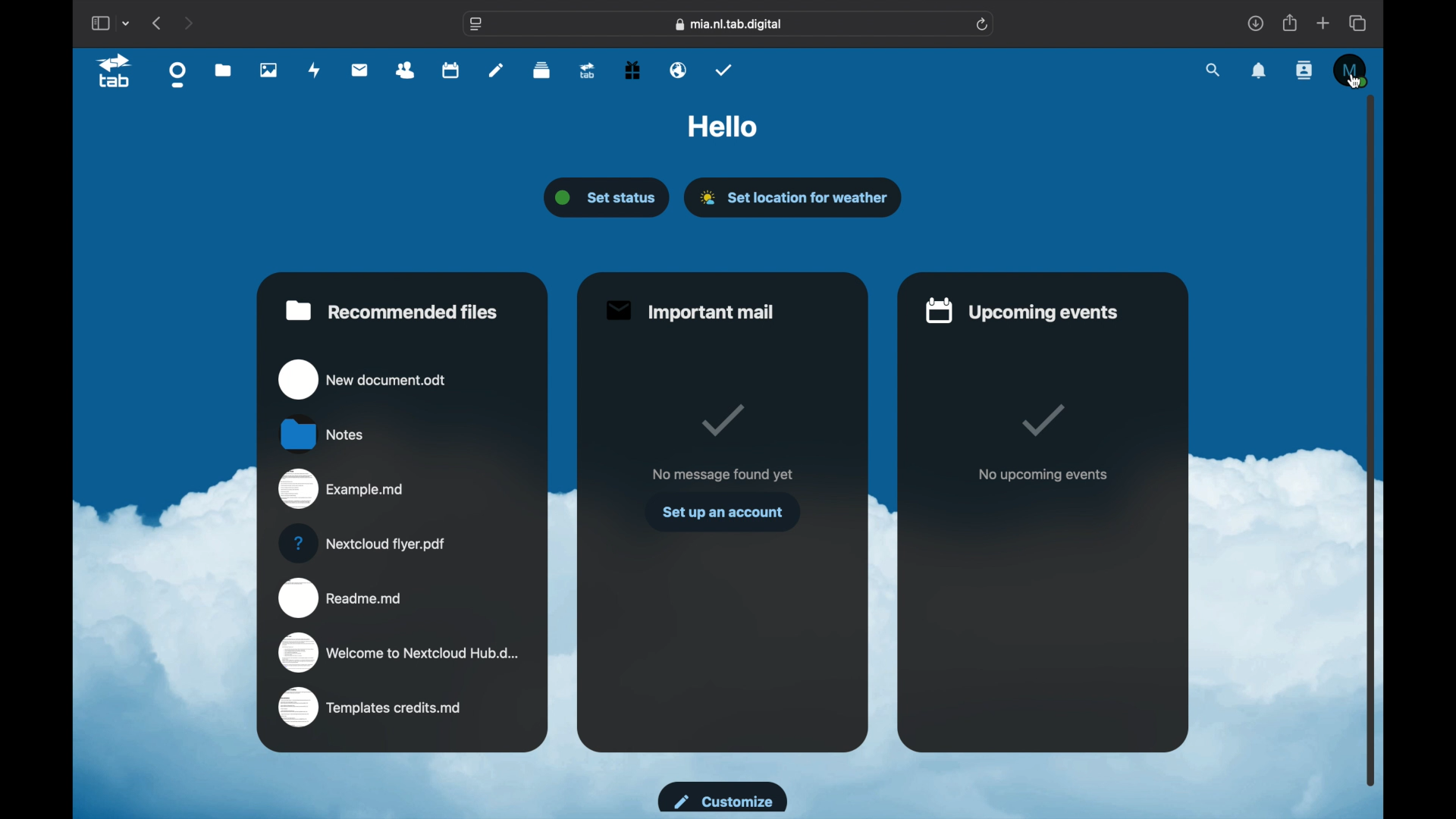 This screenshot has height=819, width=1456. I want to click on set up an account, so click(723, 511).